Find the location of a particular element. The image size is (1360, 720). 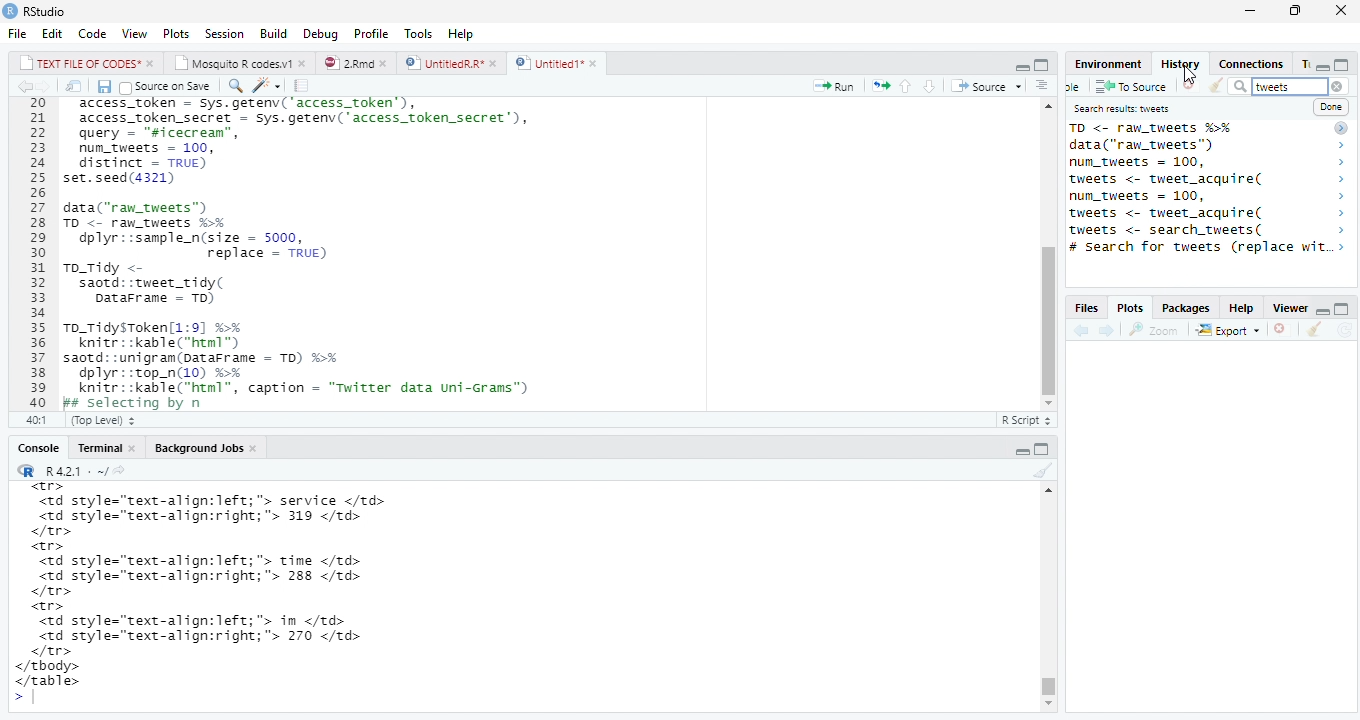

File is located at coordinates (17, 31).